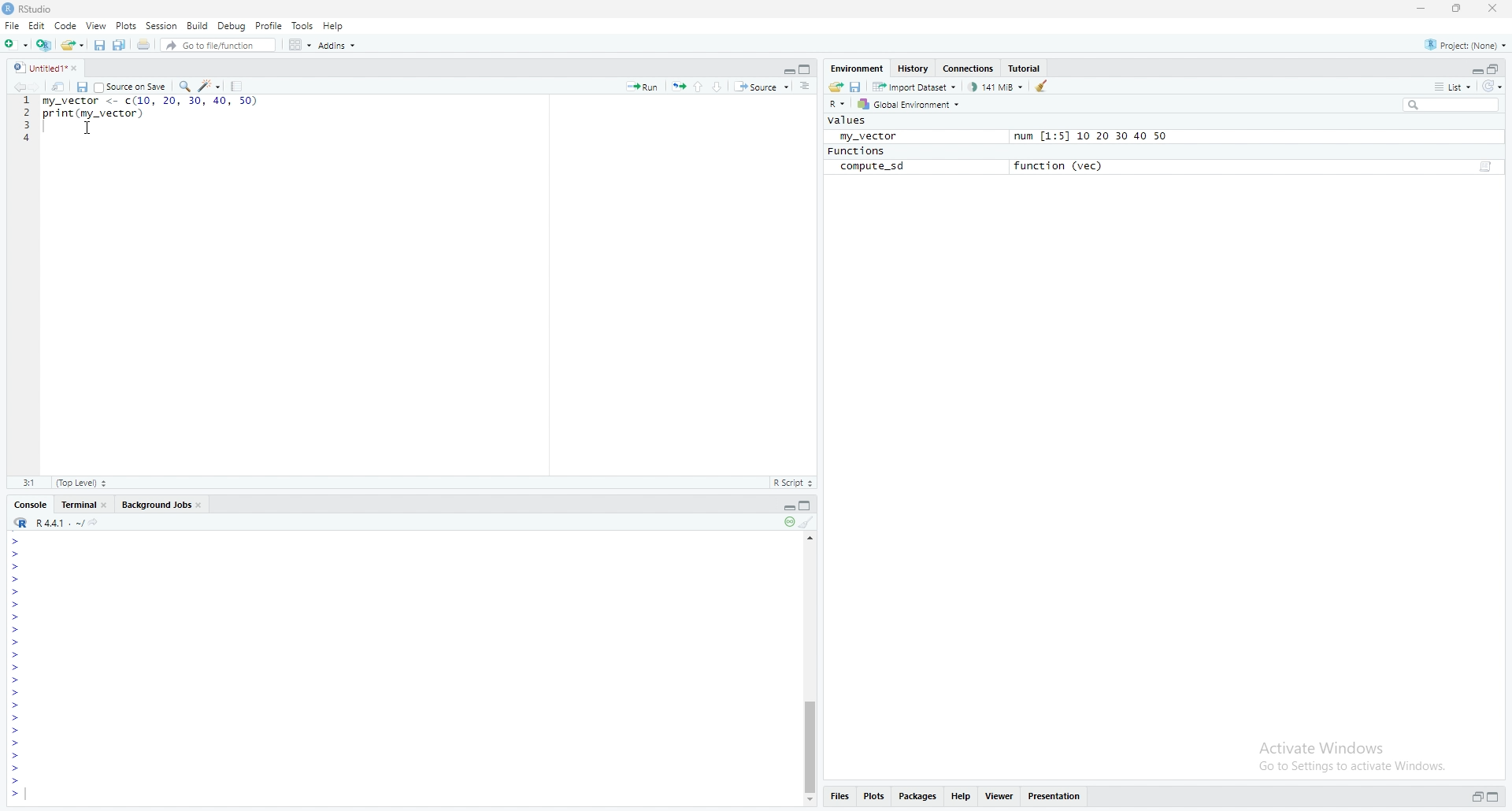 The image size is (1512, 811). Describe the element at coordinates (17, 566) in the screenshot. I see `Prompt cursor` at that location.